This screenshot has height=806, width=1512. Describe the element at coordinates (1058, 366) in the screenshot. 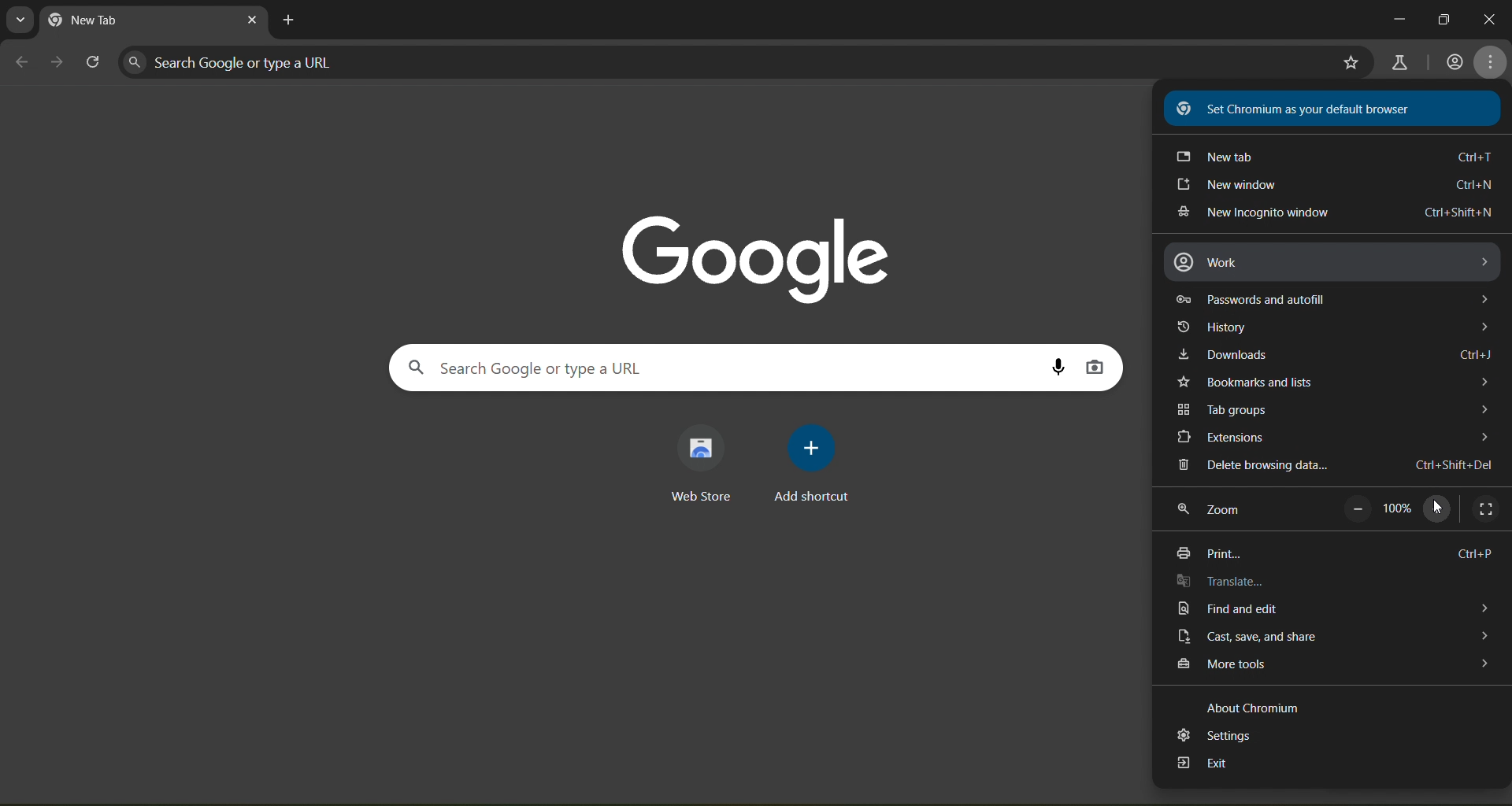

I see `voice search` at that location.